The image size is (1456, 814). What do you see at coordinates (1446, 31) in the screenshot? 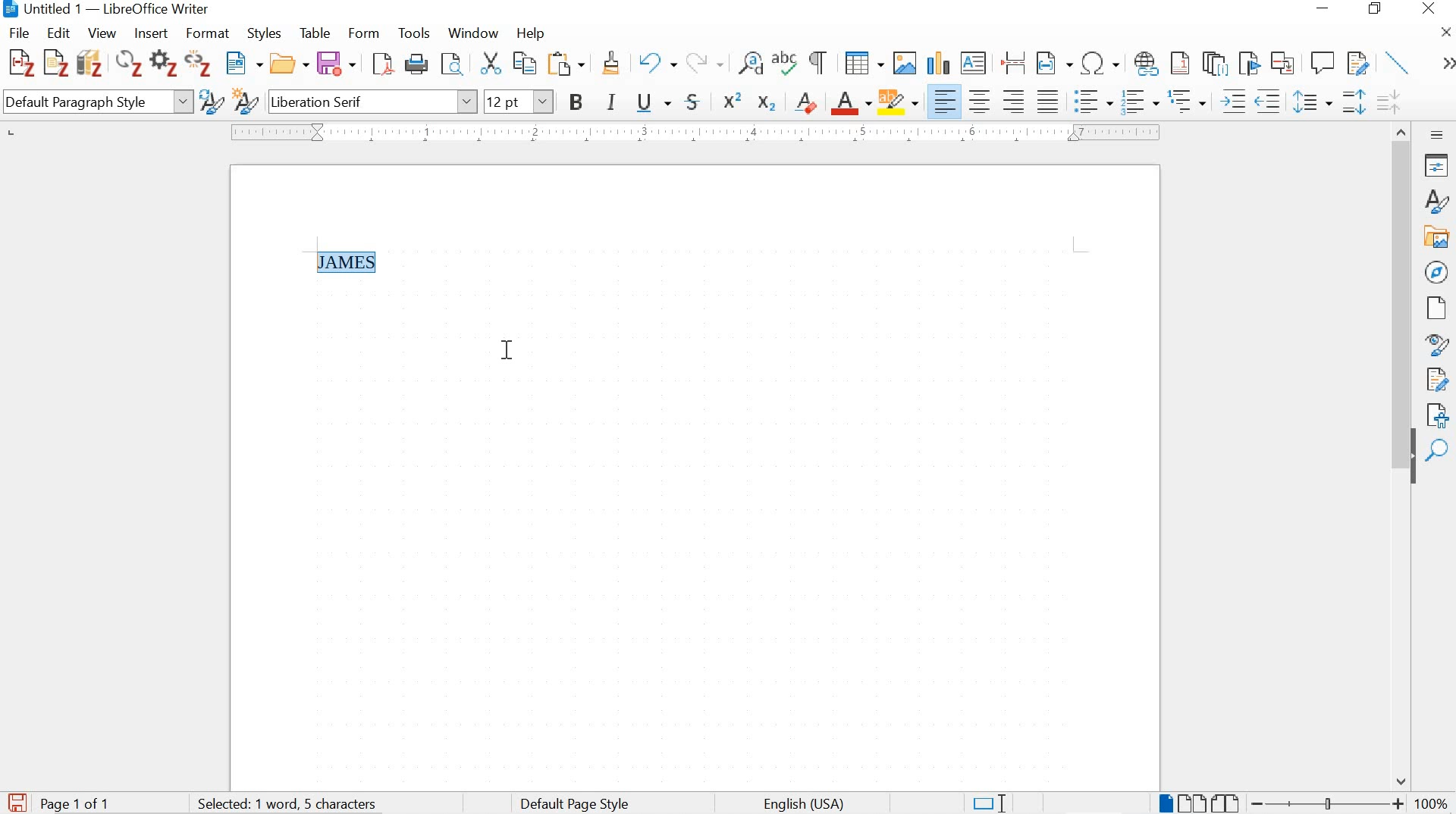
I see `close document` at bounding box center [1446, 31].